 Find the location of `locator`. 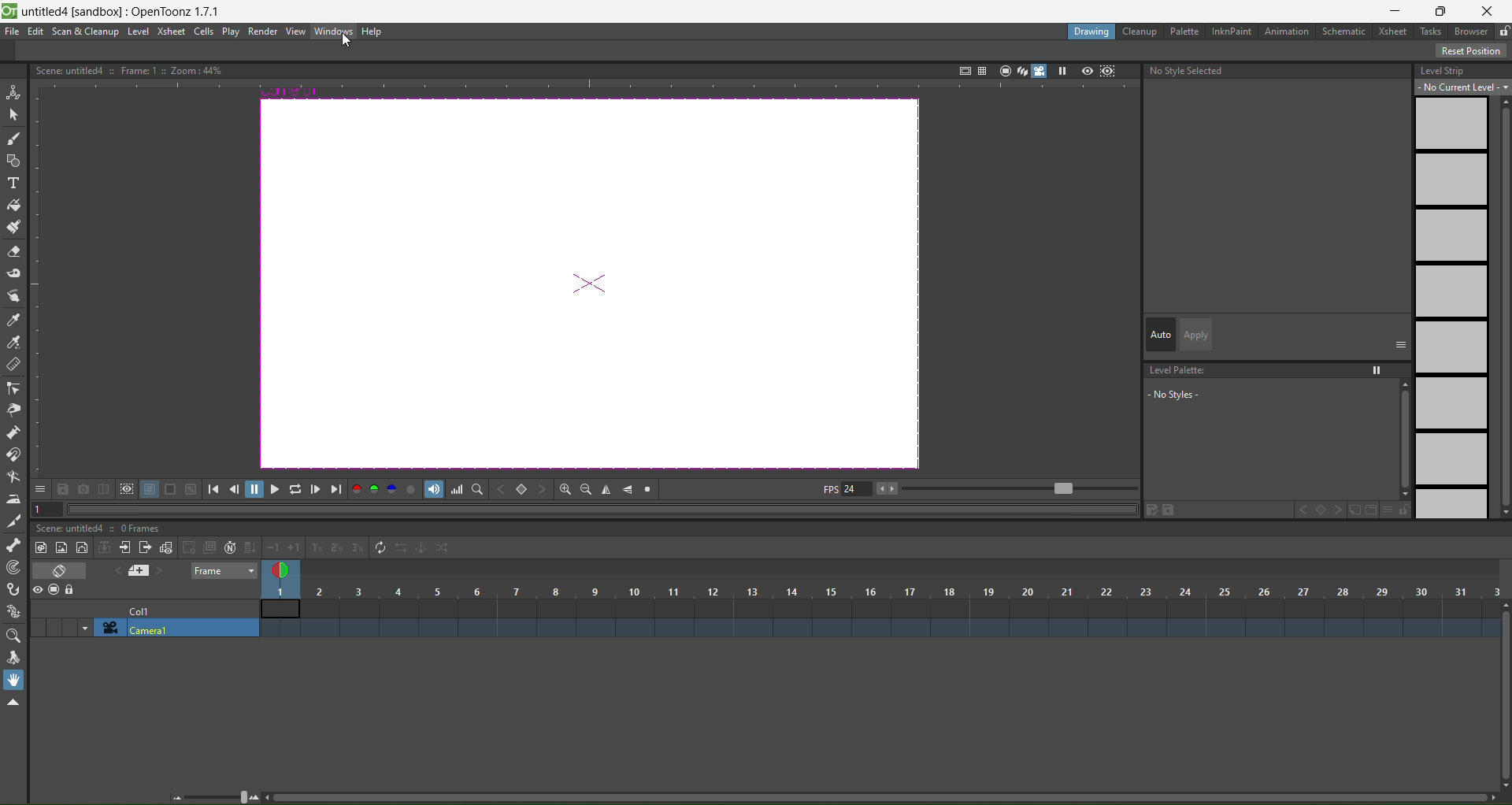

locator is located at coordinates (478, 490).